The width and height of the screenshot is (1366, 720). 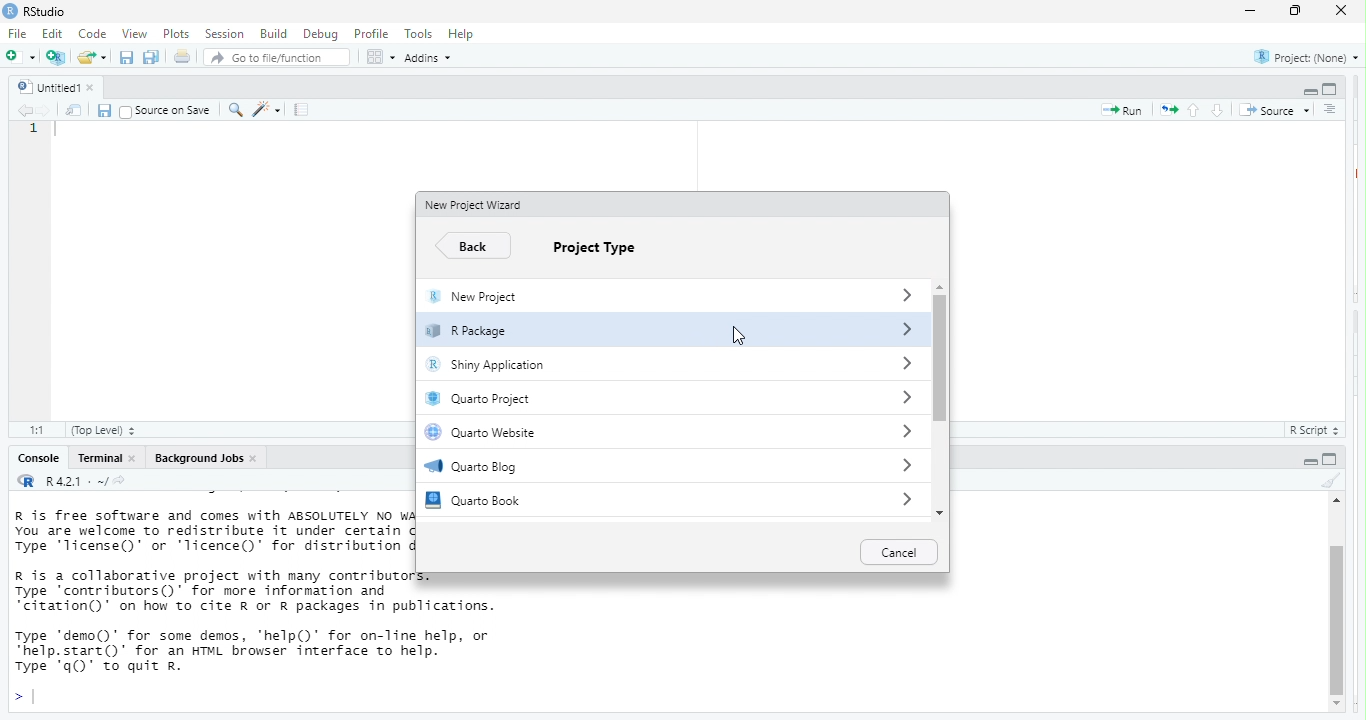 What do you see at coordinates (34, 429) in the screenshot?
I see `1:1` at bounding box center [34, 429].